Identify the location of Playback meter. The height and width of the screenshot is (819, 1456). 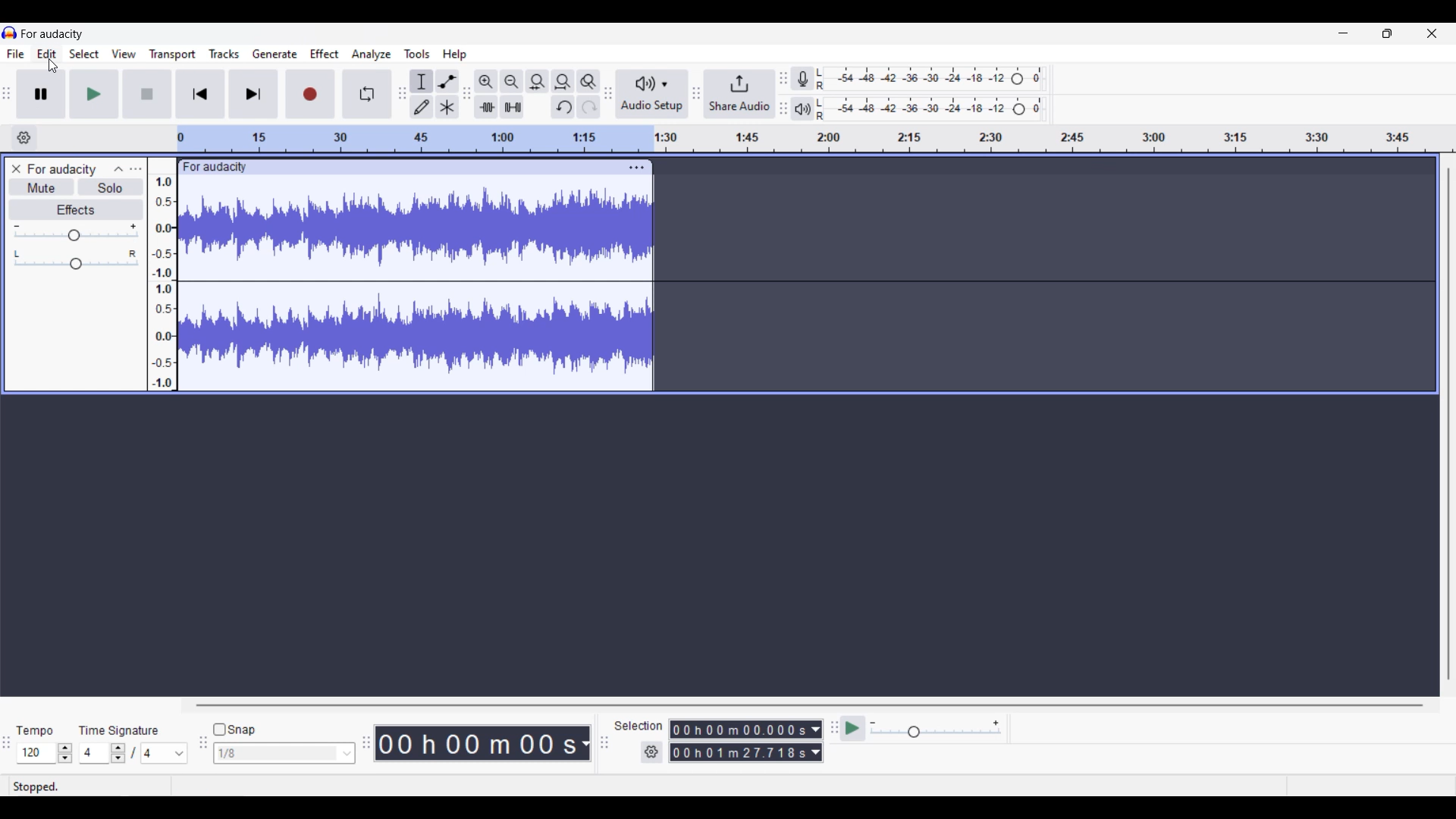
(803, 108).